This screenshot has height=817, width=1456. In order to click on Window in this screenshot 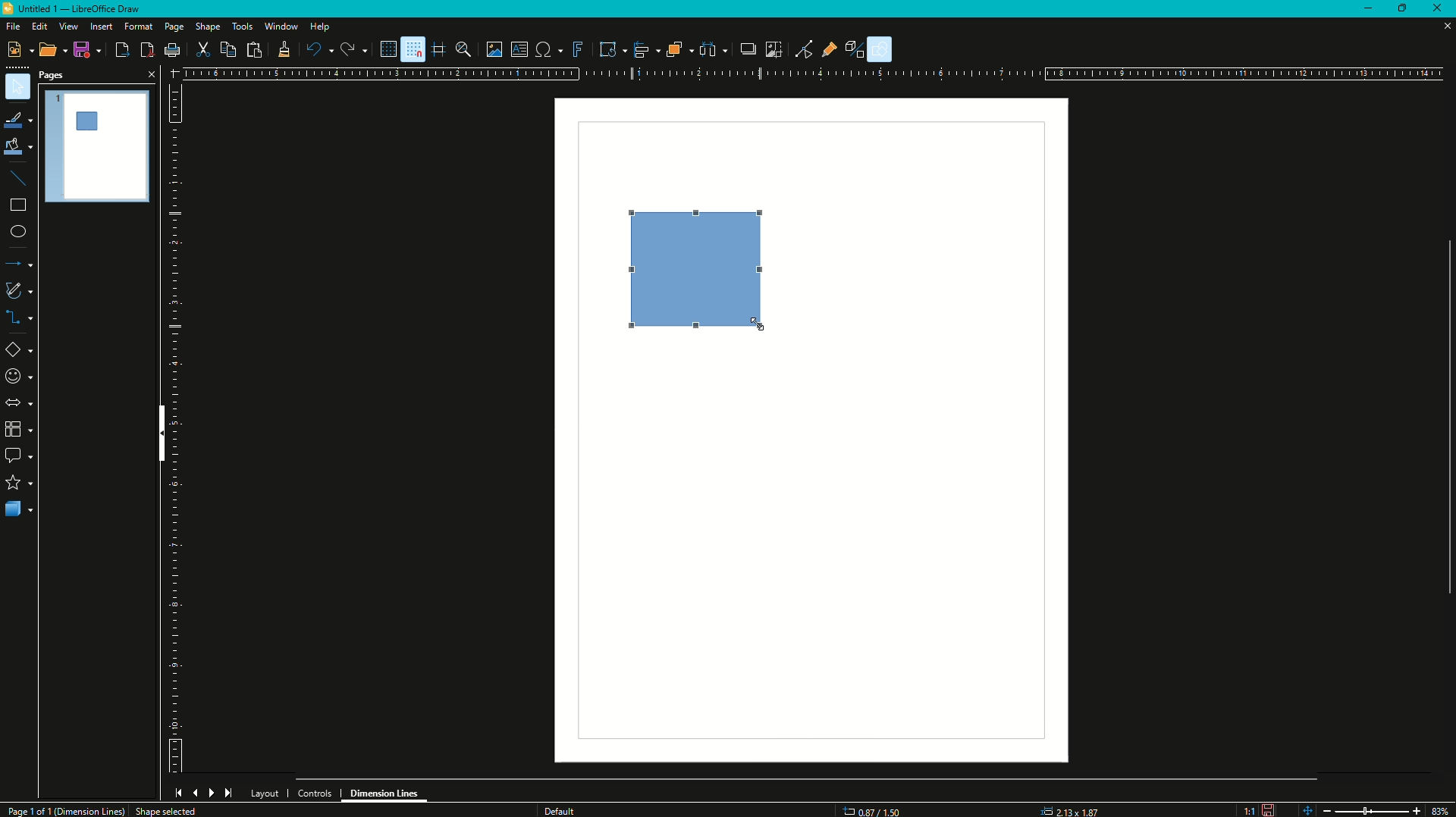, I will do `click(279, 27)`.